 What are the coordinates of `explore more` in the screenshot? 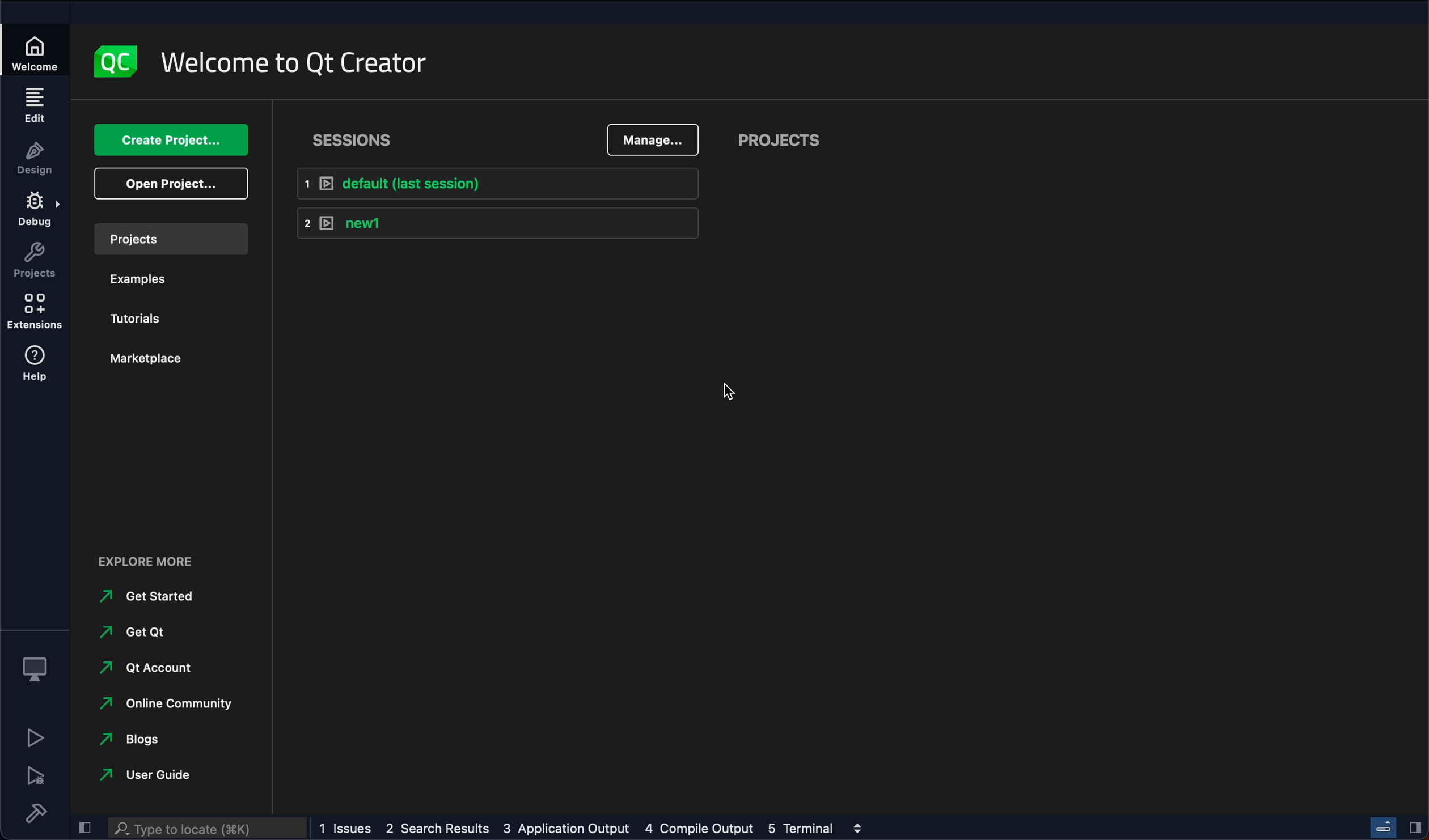 It's located at (150, 562).